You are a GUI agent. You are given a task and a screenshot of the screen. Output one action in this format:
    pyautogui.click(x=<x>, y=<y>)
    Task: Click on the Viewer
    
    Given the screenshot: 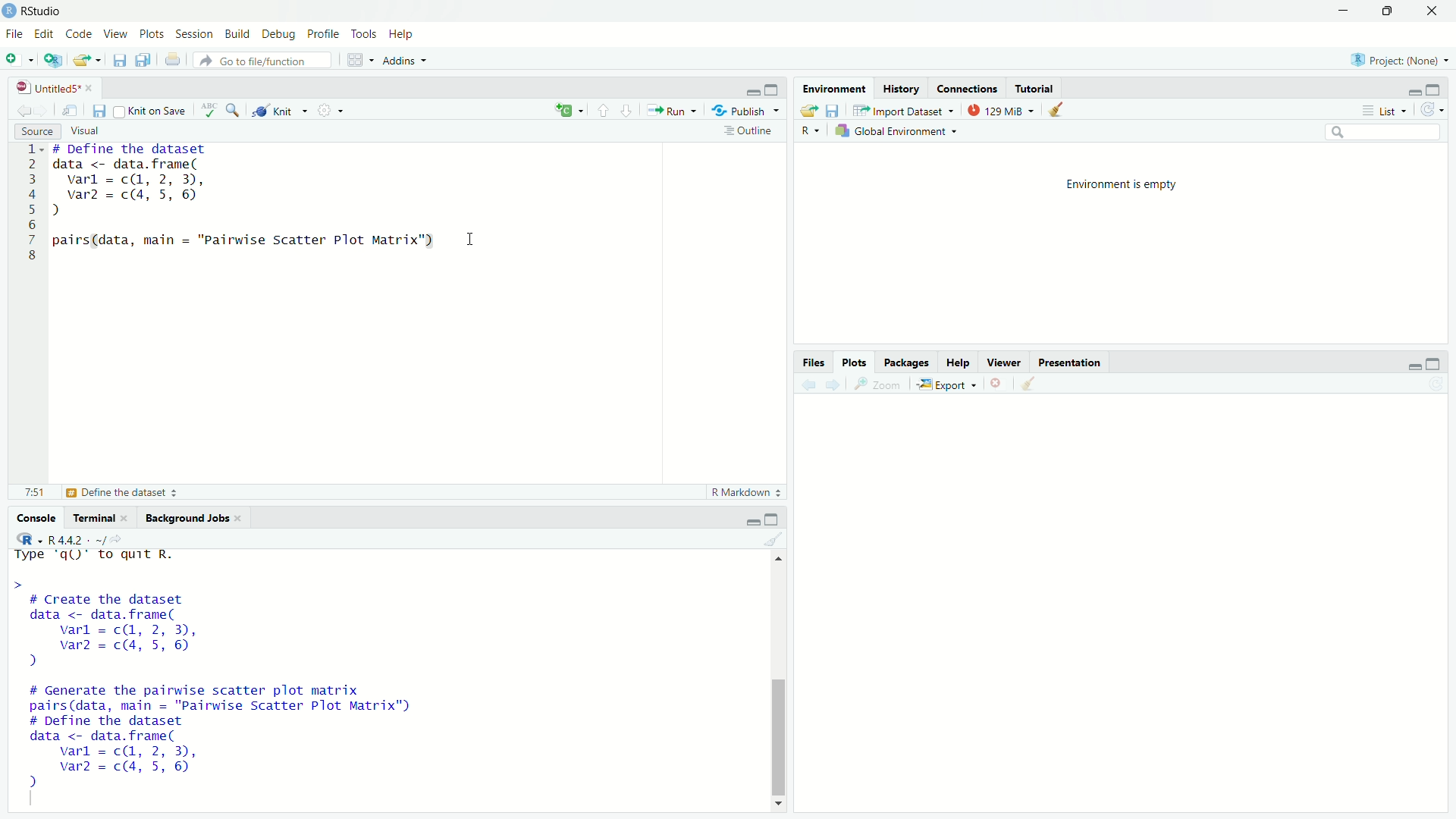 What is the action you would take?
    pyautogui.click(x=1003, y=362)
    